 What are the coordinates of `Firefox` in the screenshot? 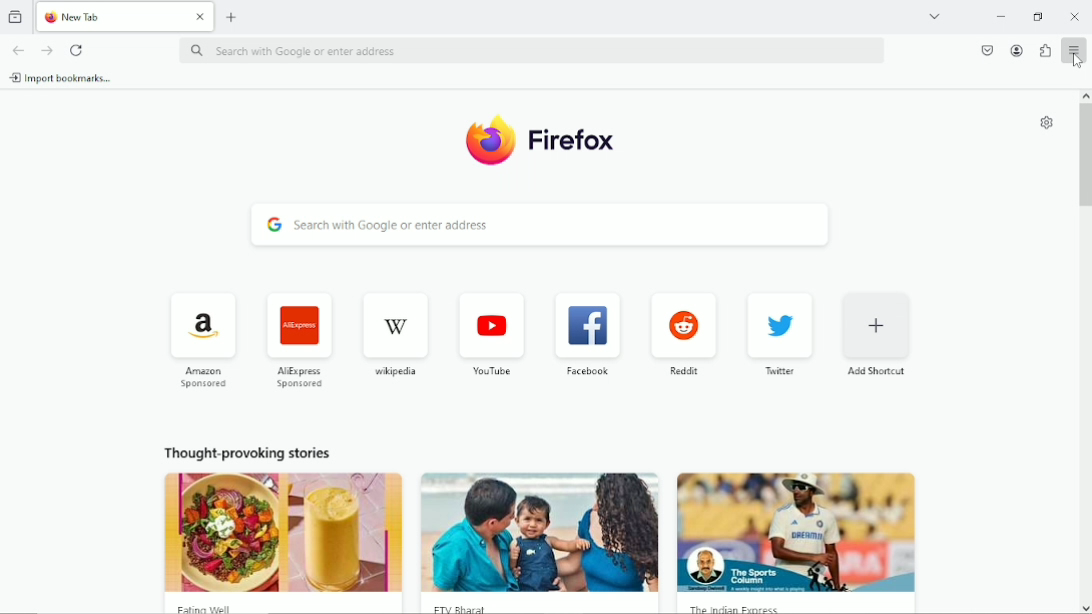 It's located at (577, 139).